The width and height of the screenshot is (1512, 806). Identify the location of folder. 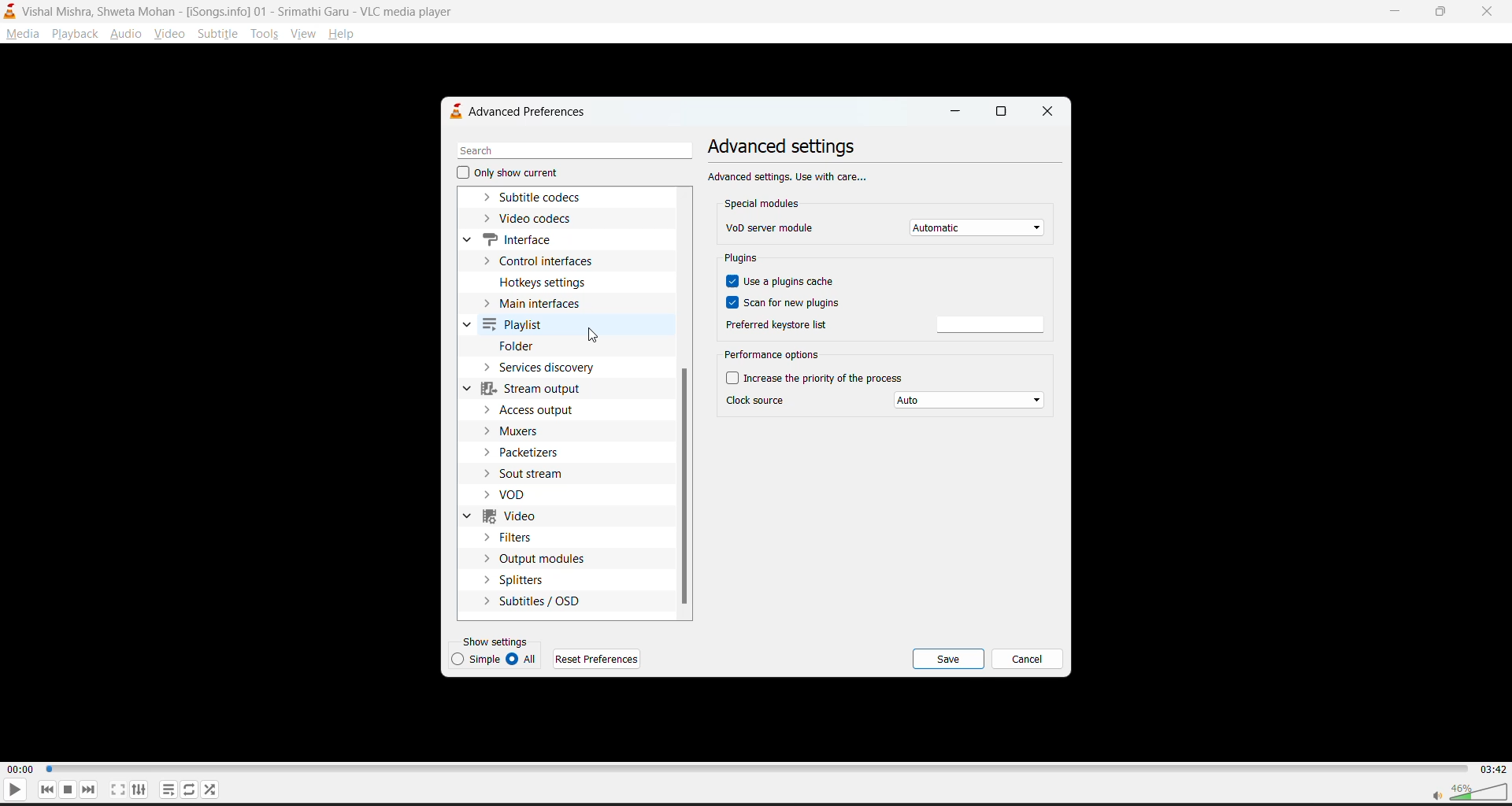
(521, 346).